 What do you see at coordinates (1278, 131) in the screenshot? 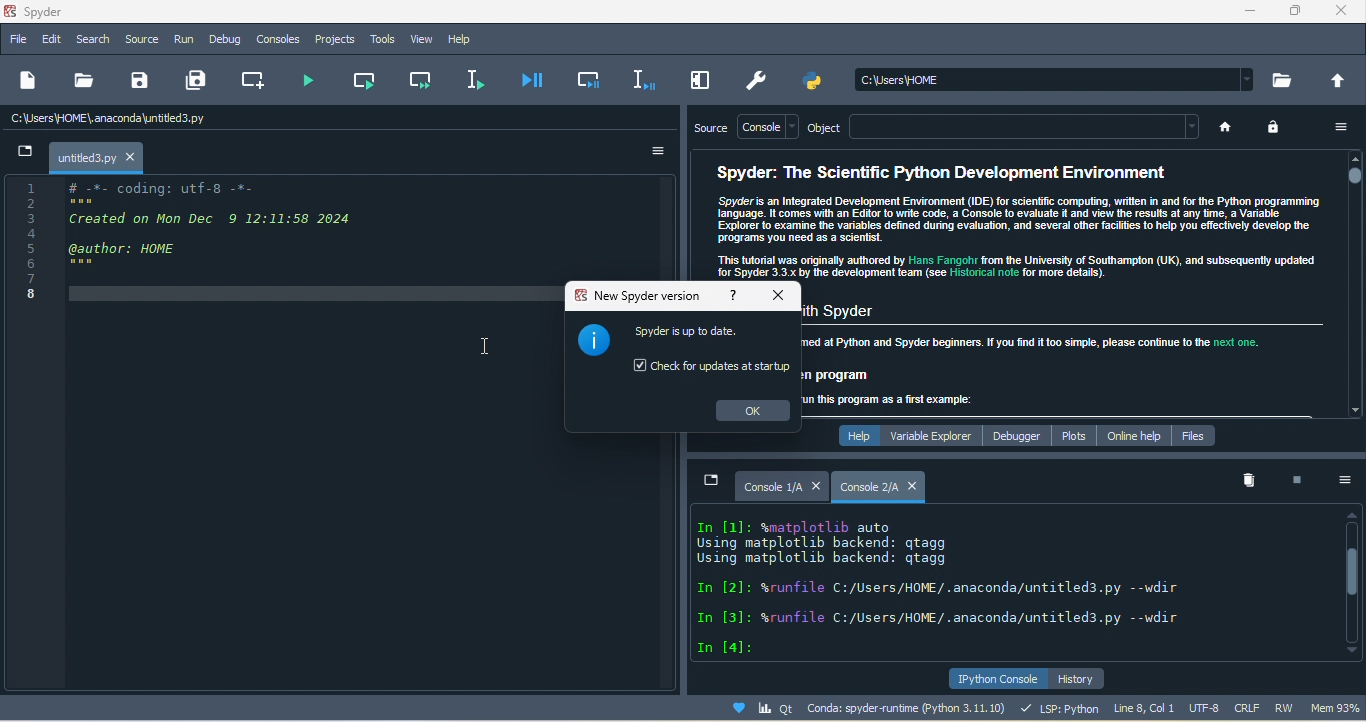
I see `lock` at bounding box center [1278, 131].